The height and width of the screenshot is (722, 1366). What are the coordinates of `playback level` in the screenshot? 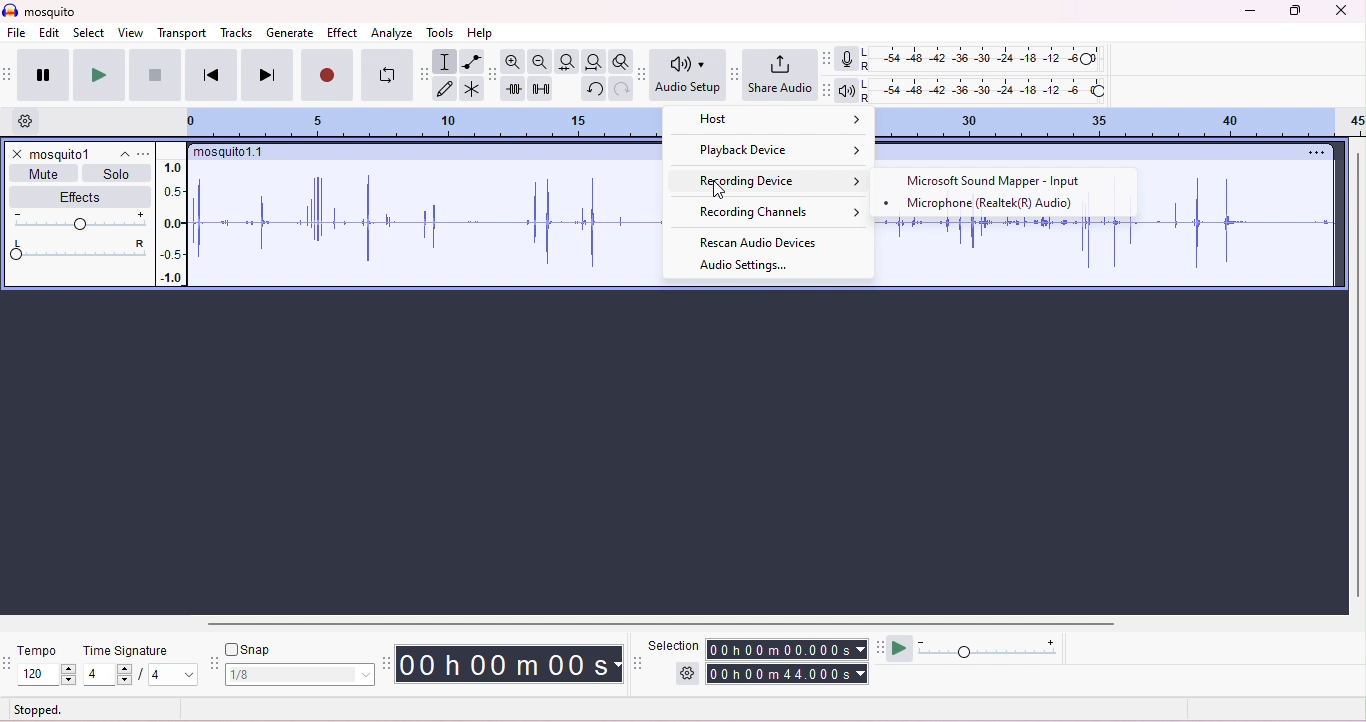 It's located at (983, 92).